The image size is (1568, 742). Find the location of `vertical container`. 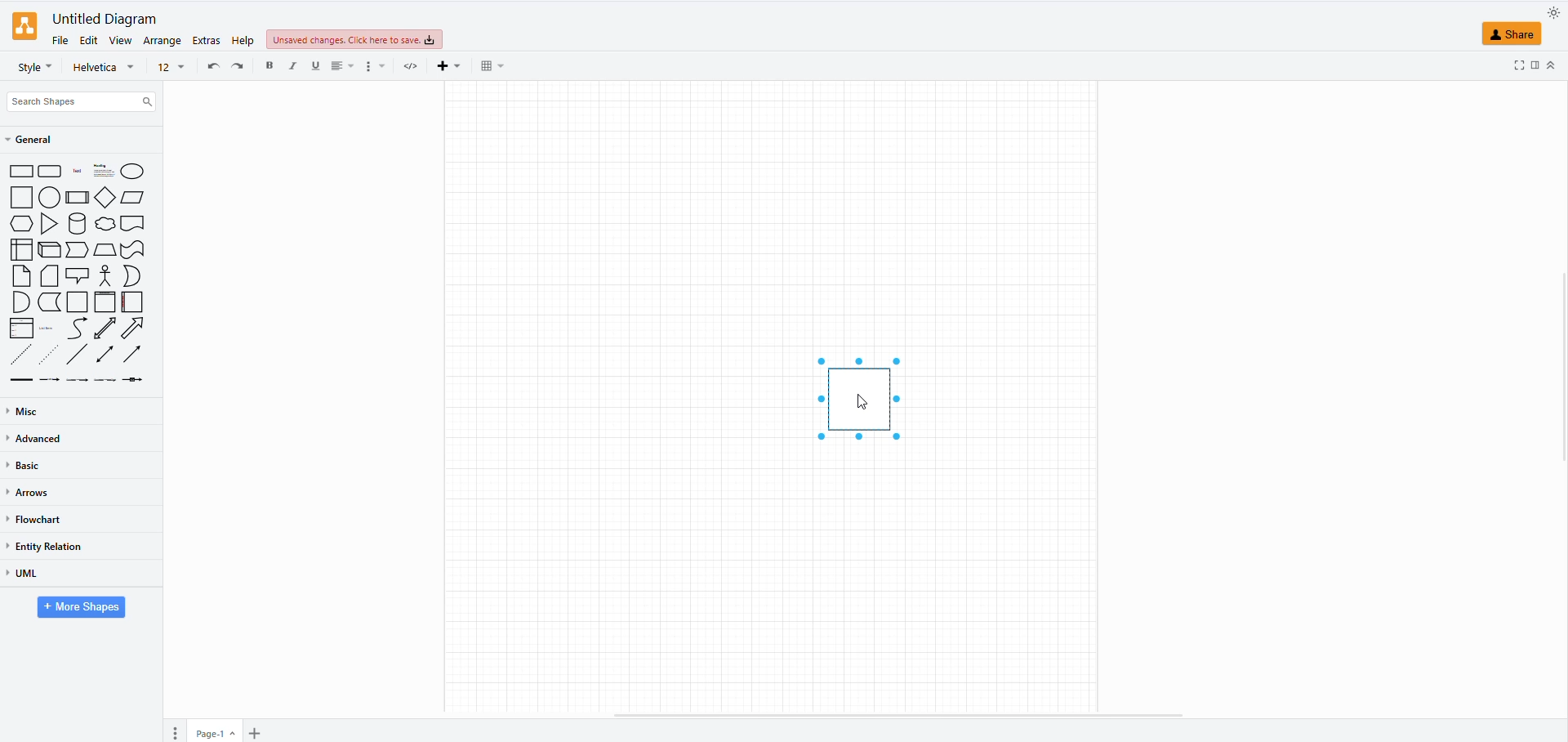

vertical container is located at coordinates (106, 302).